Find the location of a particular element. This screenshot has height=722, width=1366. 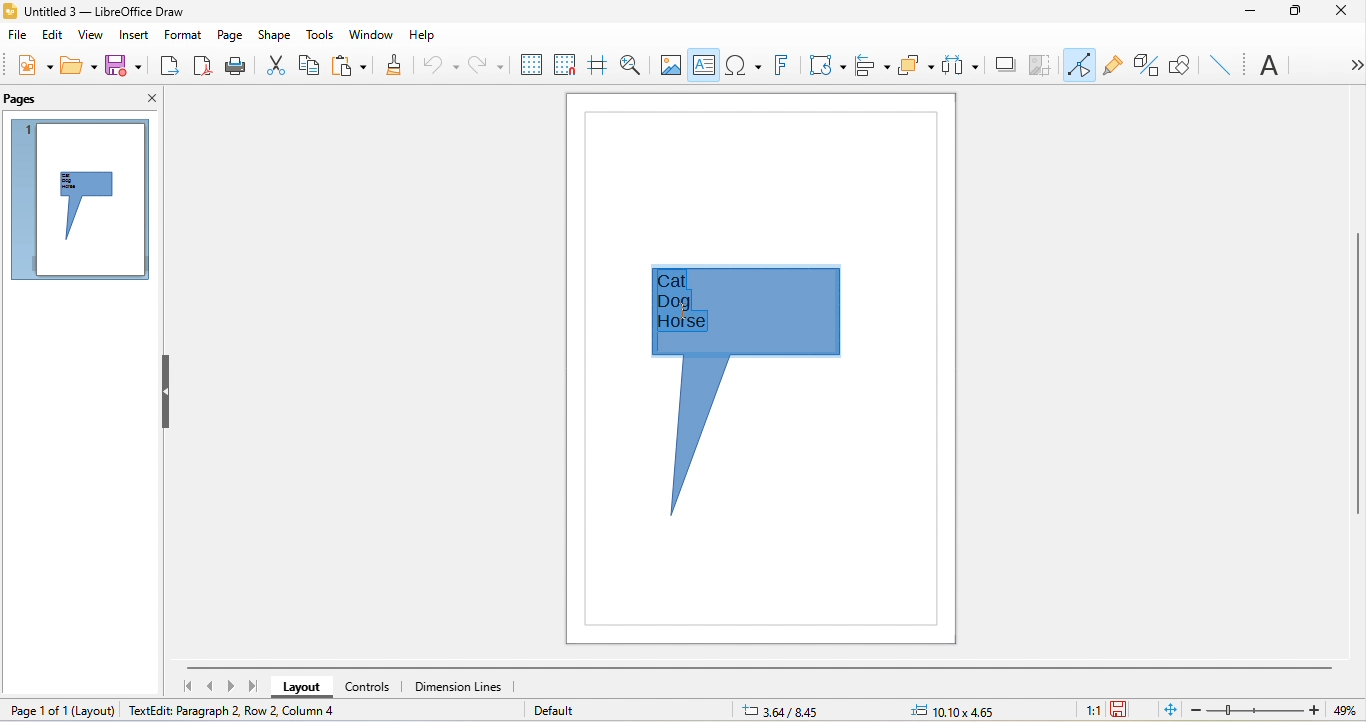

arrange is located at coordinates (917, 66).